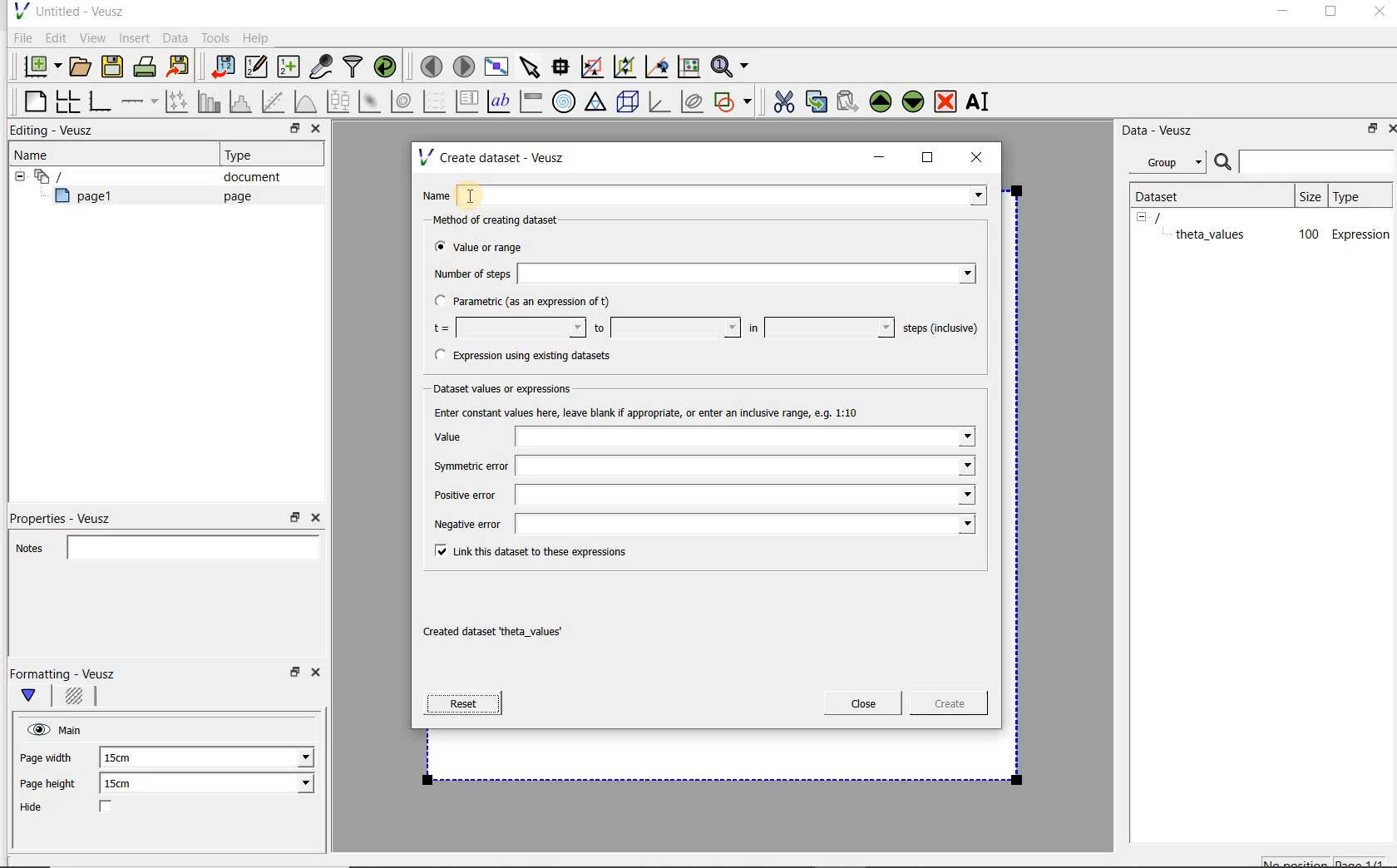 The image size is (1397, 868). What do you see at coordinates (65, 673) in the screenshot?
I see `Formatting - Veusz` at bounding box center [65, 673].